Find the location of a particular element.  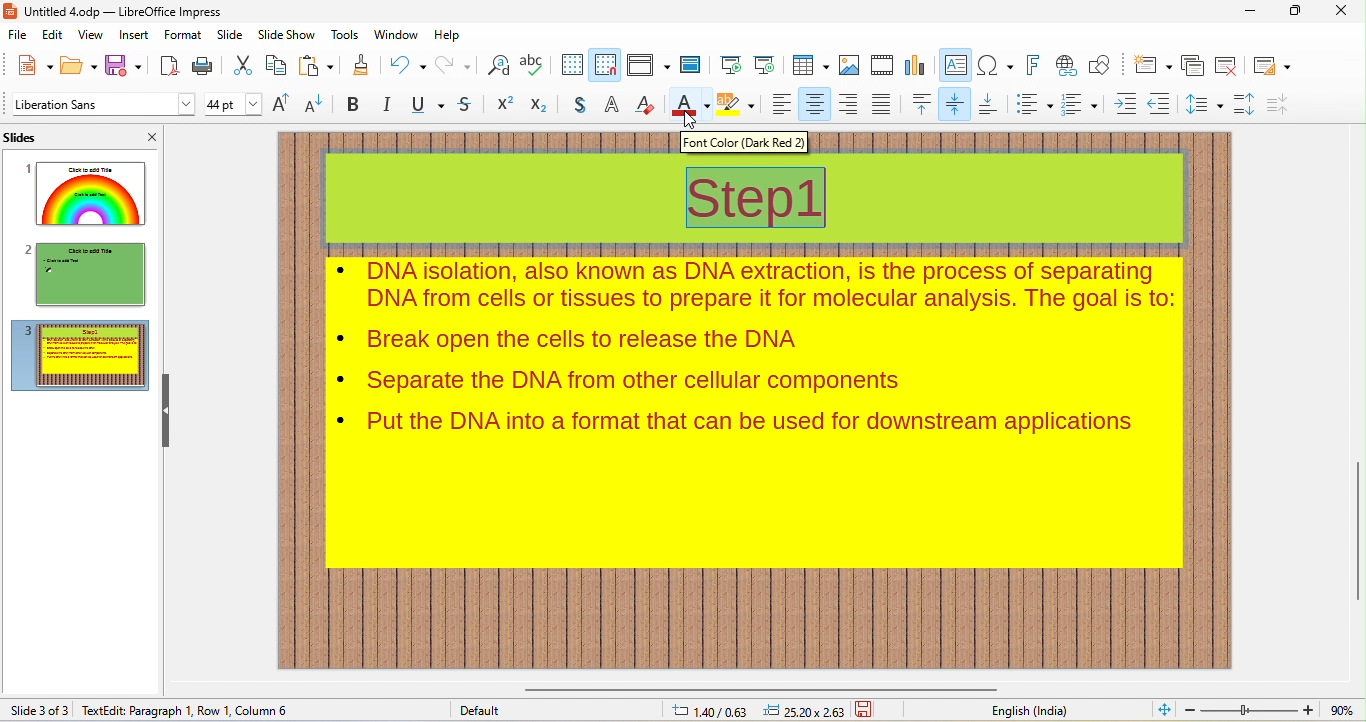

slide 3 of 3 is located at coordinates (38, 708).